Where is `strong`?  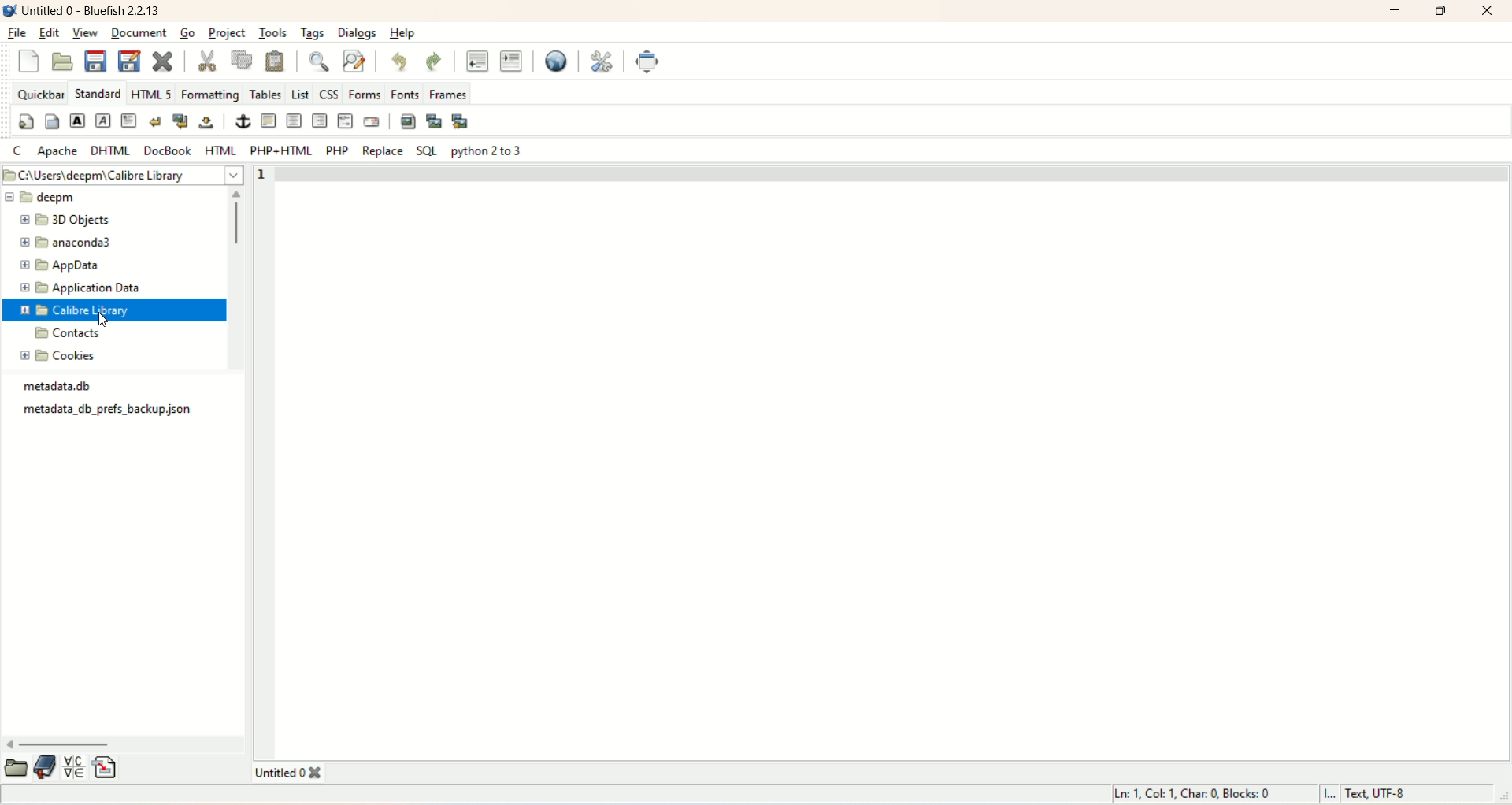 strong is located at coordinates (76, 120).